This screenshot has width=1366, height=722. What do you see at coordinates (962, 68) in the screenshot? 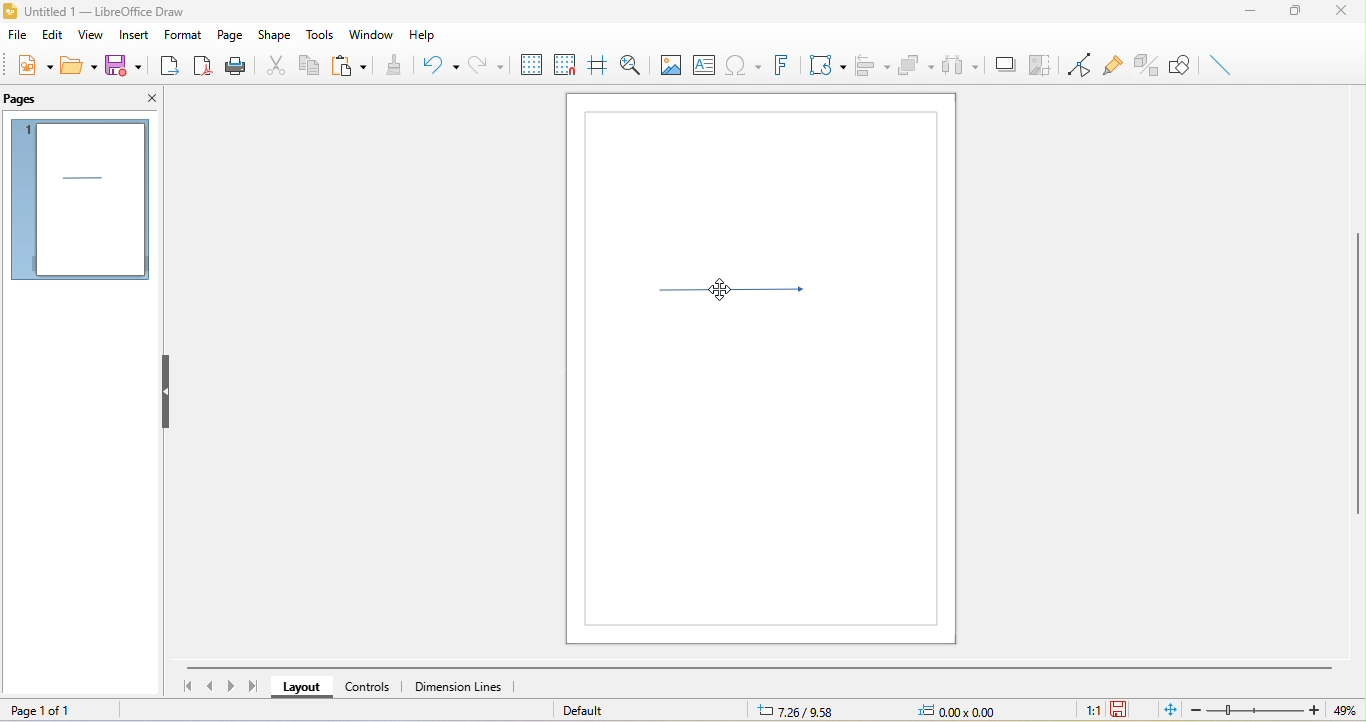
I see `select at least three object to distribute` at bounding box center [962, 68].